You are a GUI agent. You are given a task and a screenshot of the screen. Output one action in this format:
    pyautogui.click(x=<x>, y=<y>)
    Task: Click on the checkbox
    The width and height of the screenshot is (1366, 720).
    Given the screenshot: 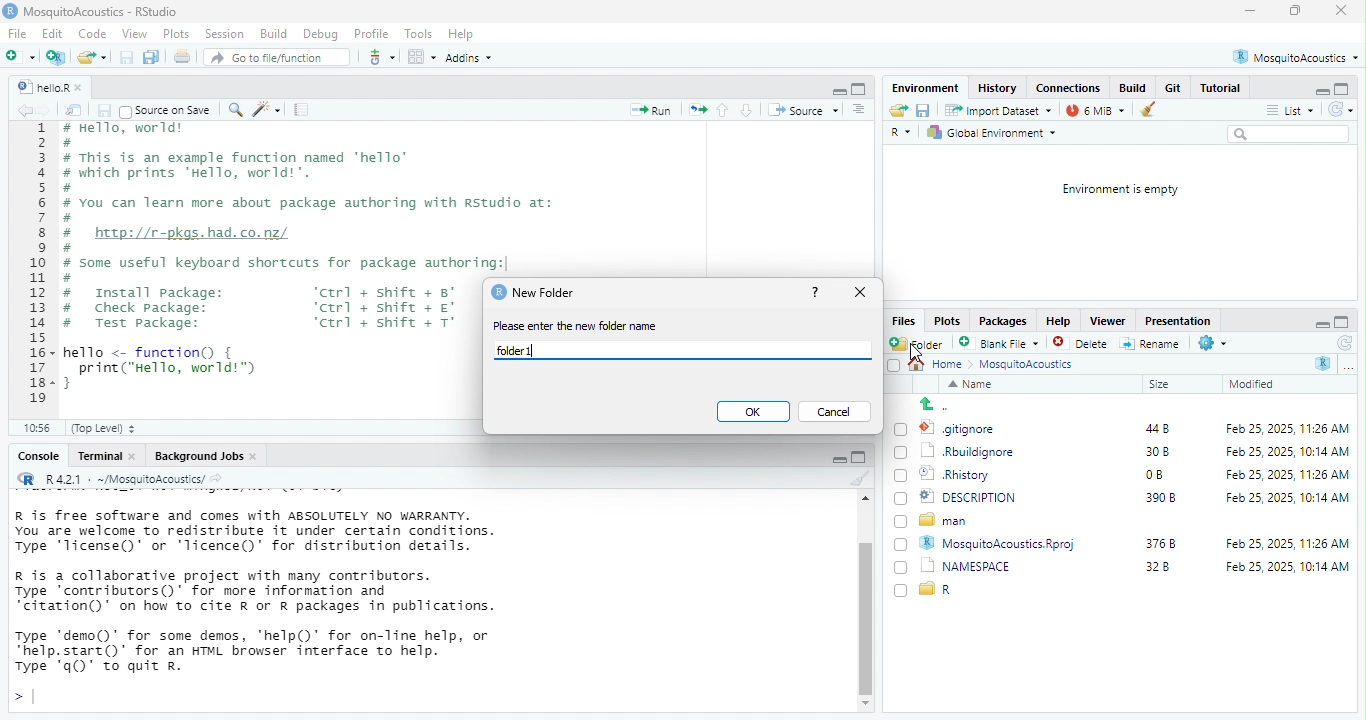 What is the action you would take?
    pyautogui.click(x=900, y=523)
    